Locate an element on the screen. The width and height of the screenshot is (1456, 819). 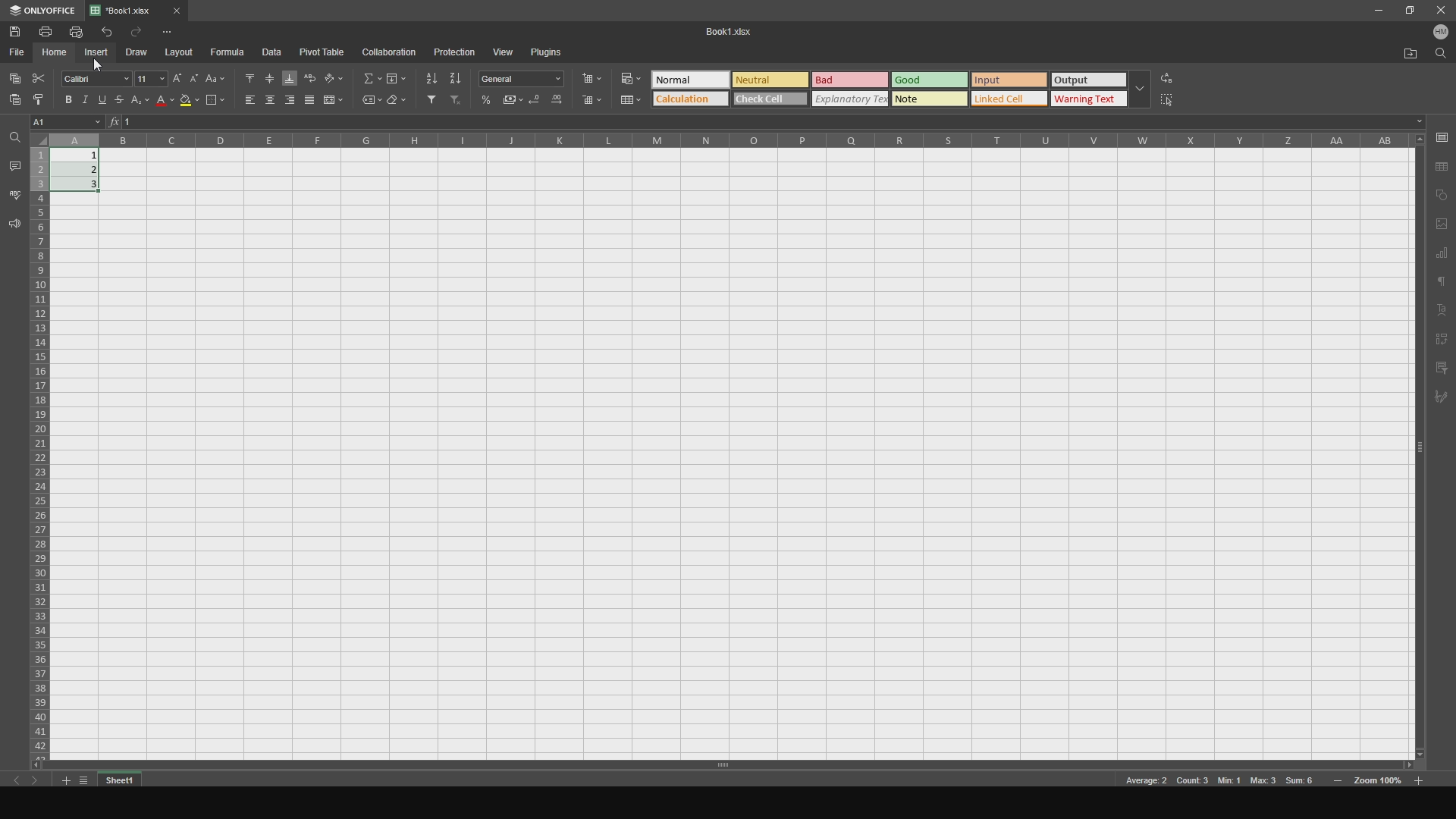
home is located at coordinates (56, 53).